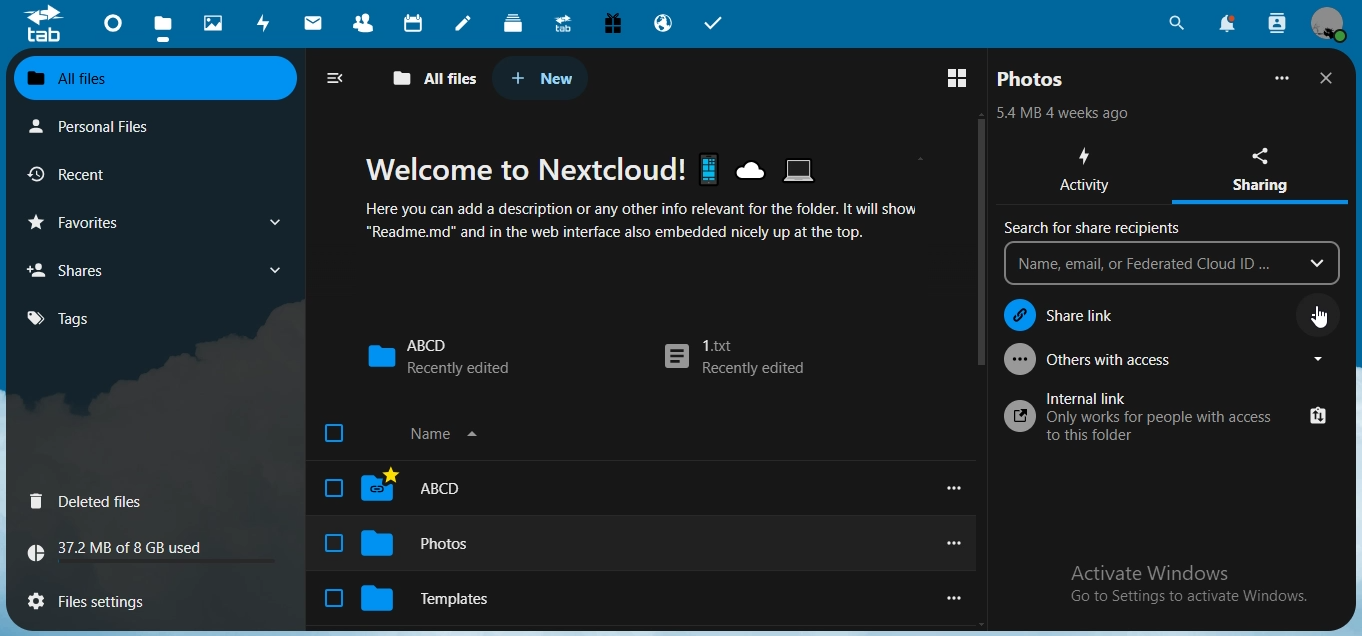 This screenshot has width=1362, height=636. What do you see at coordinates (152, 79) in the screenshot?
I see `all files` at bounding box center [152, 79].